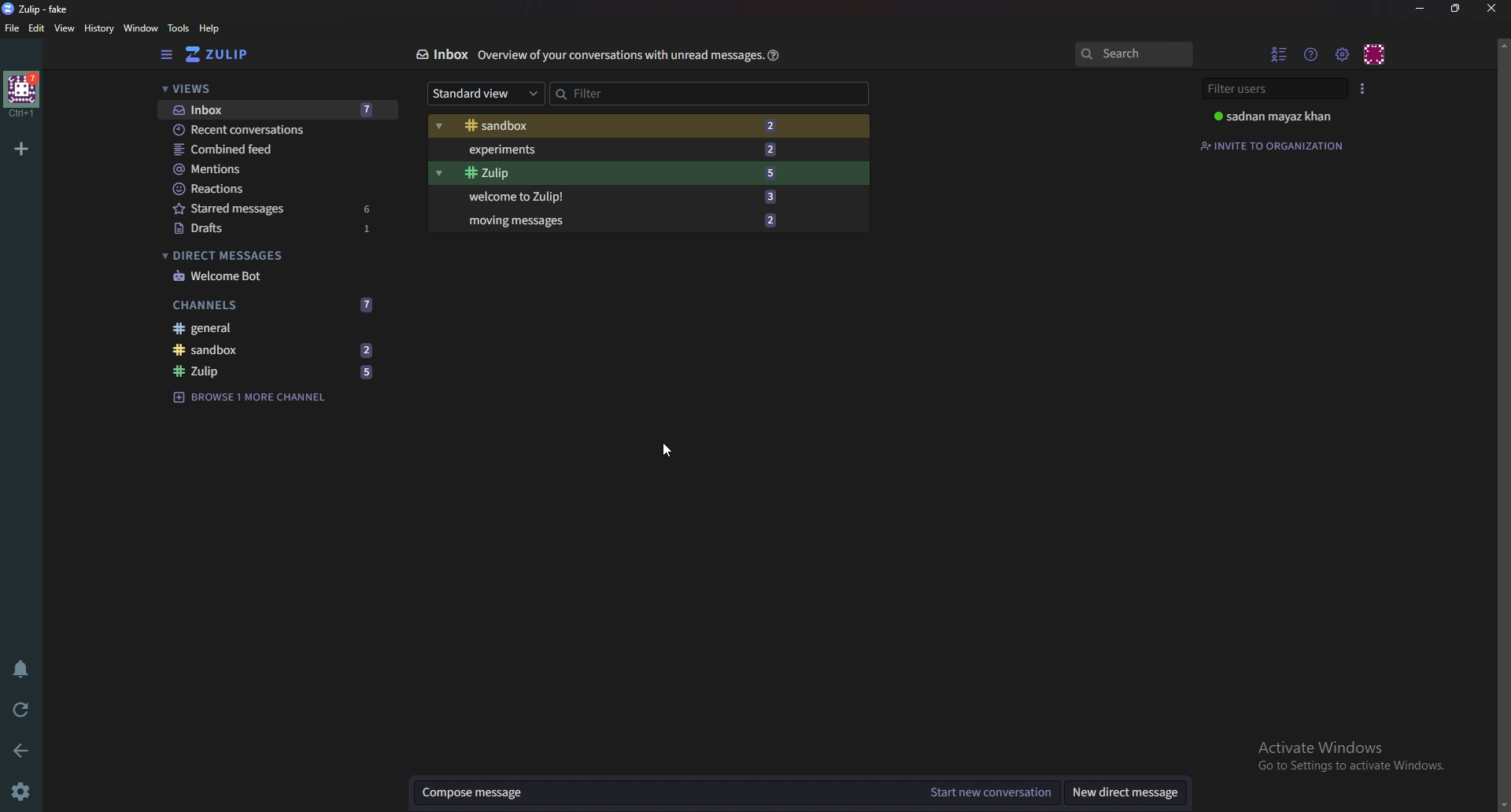  What do you see at coordinates (628, 93) in the screenshot?
I see `Filter` at bounding box center [628, 93].